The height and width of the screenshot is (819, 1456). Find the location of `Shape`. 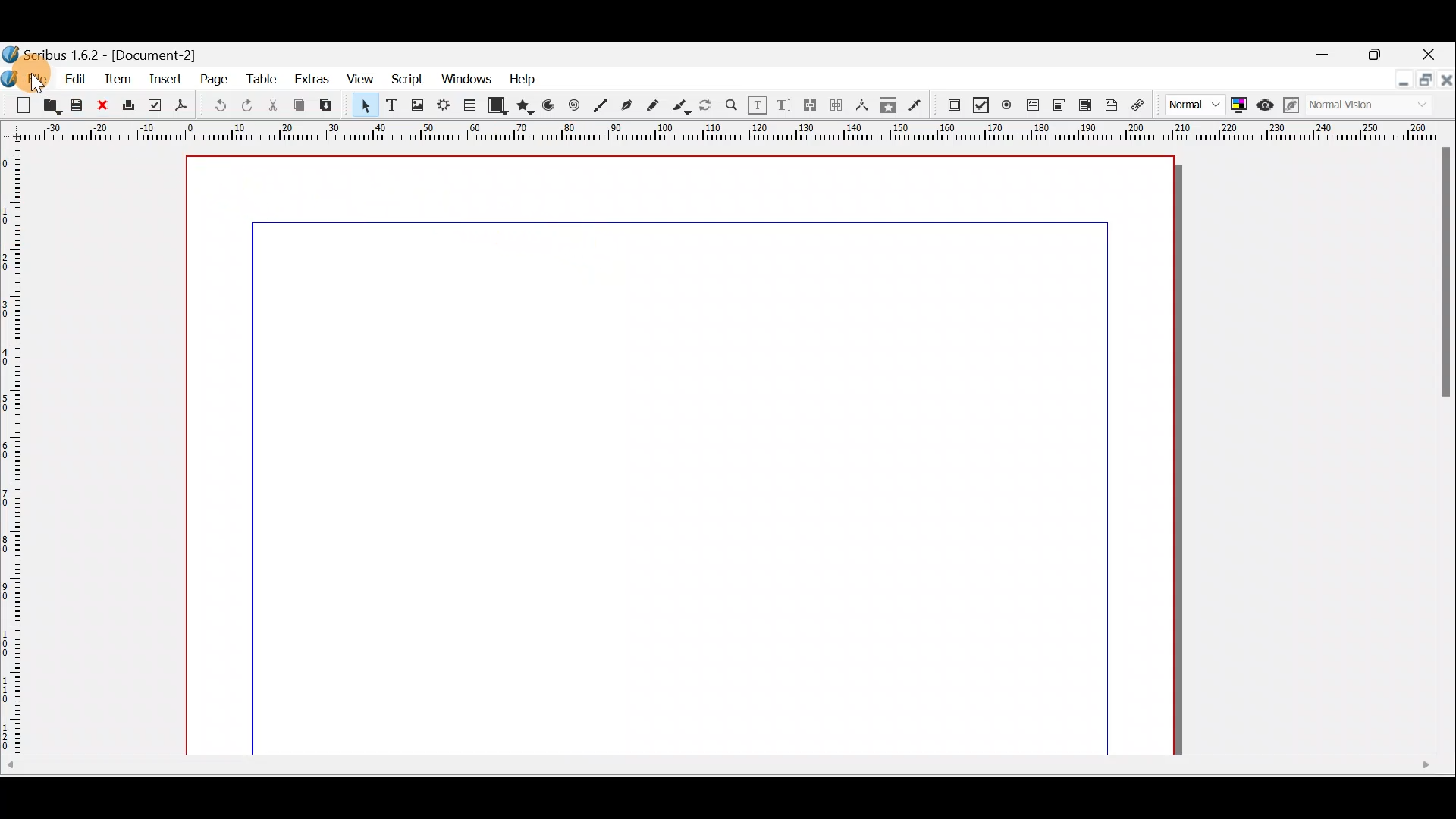

Shape is located at coordinates (498, 107).